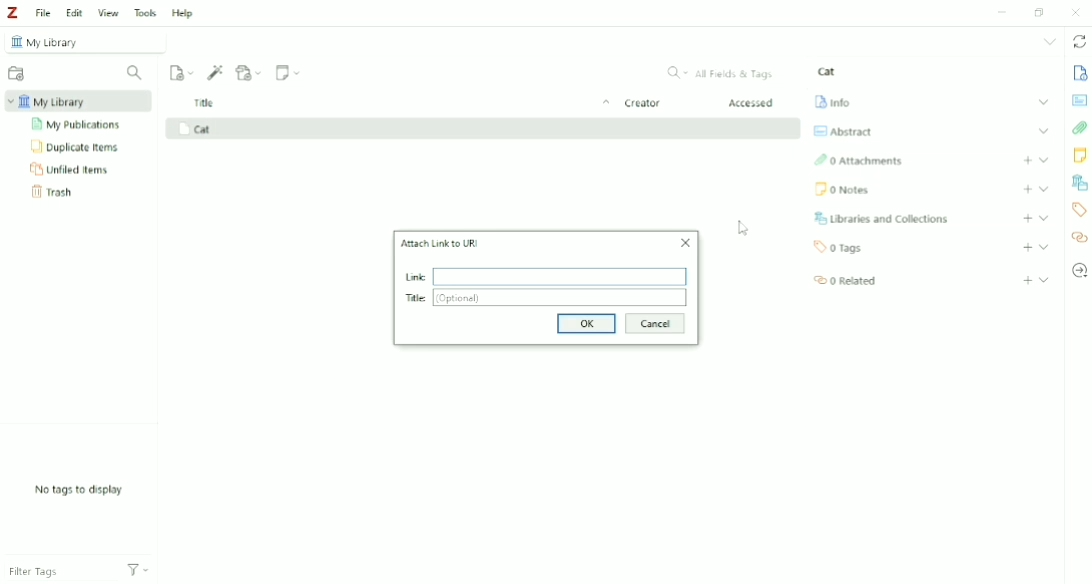 The height and width of the screenshot is (584, 1092). What do you see at coordinates (843, 279) in the screenshot?
I see `Related` at bounding box center [843, 279].